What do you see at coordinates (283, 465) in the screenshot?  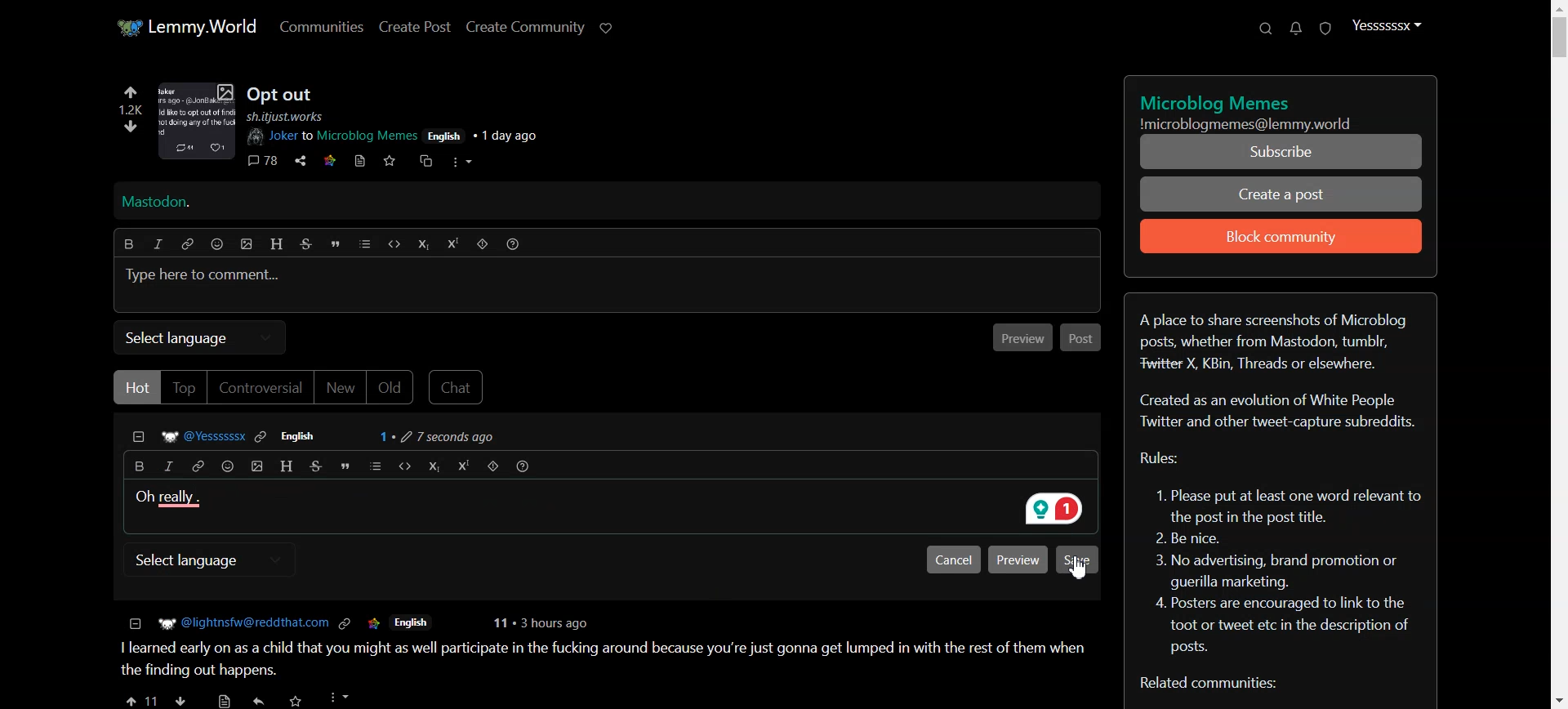 I see `Header` at bounding box center [283, 465].